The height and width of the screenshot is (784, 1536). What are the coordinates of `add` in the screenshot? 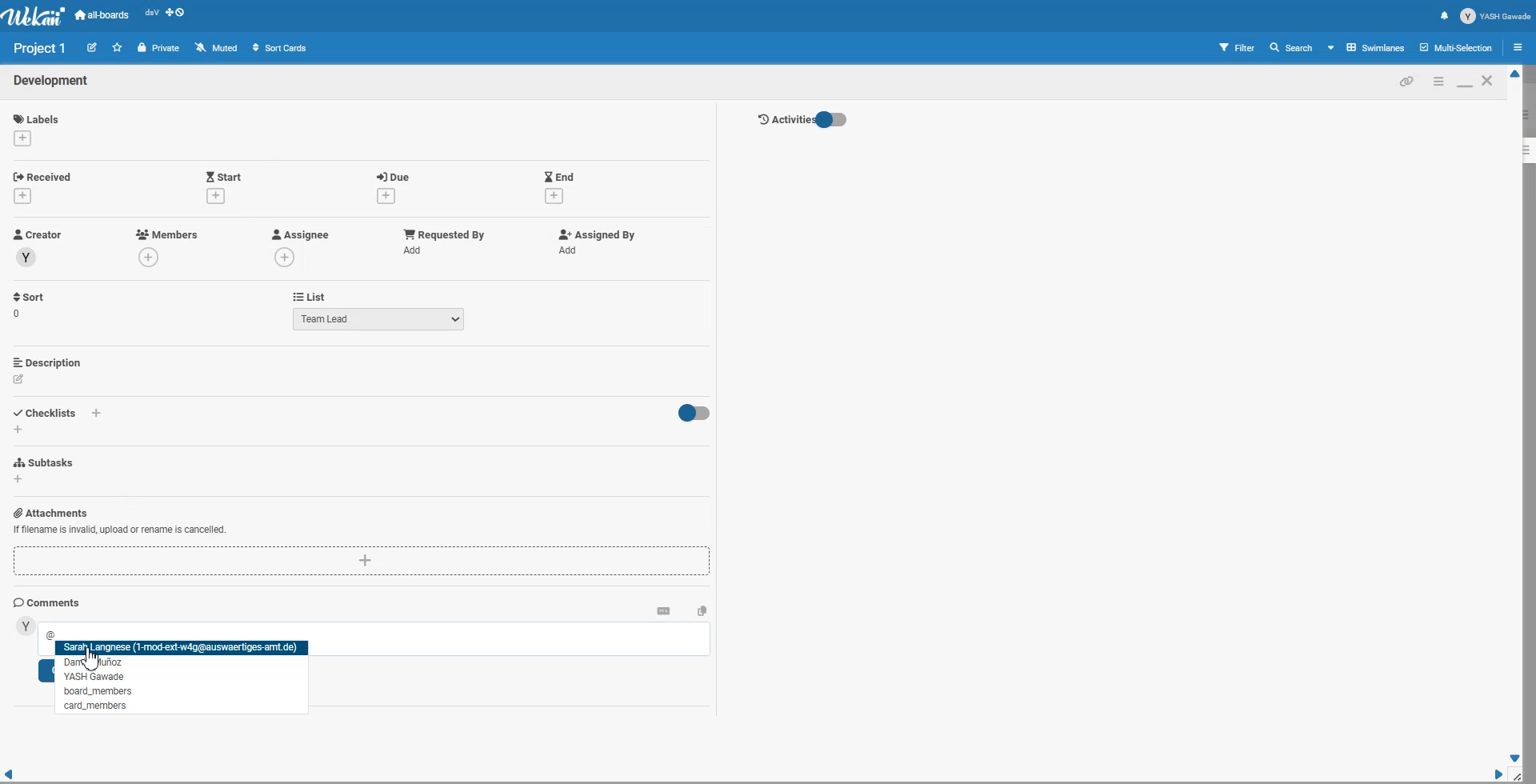 It's located at (571, 250).